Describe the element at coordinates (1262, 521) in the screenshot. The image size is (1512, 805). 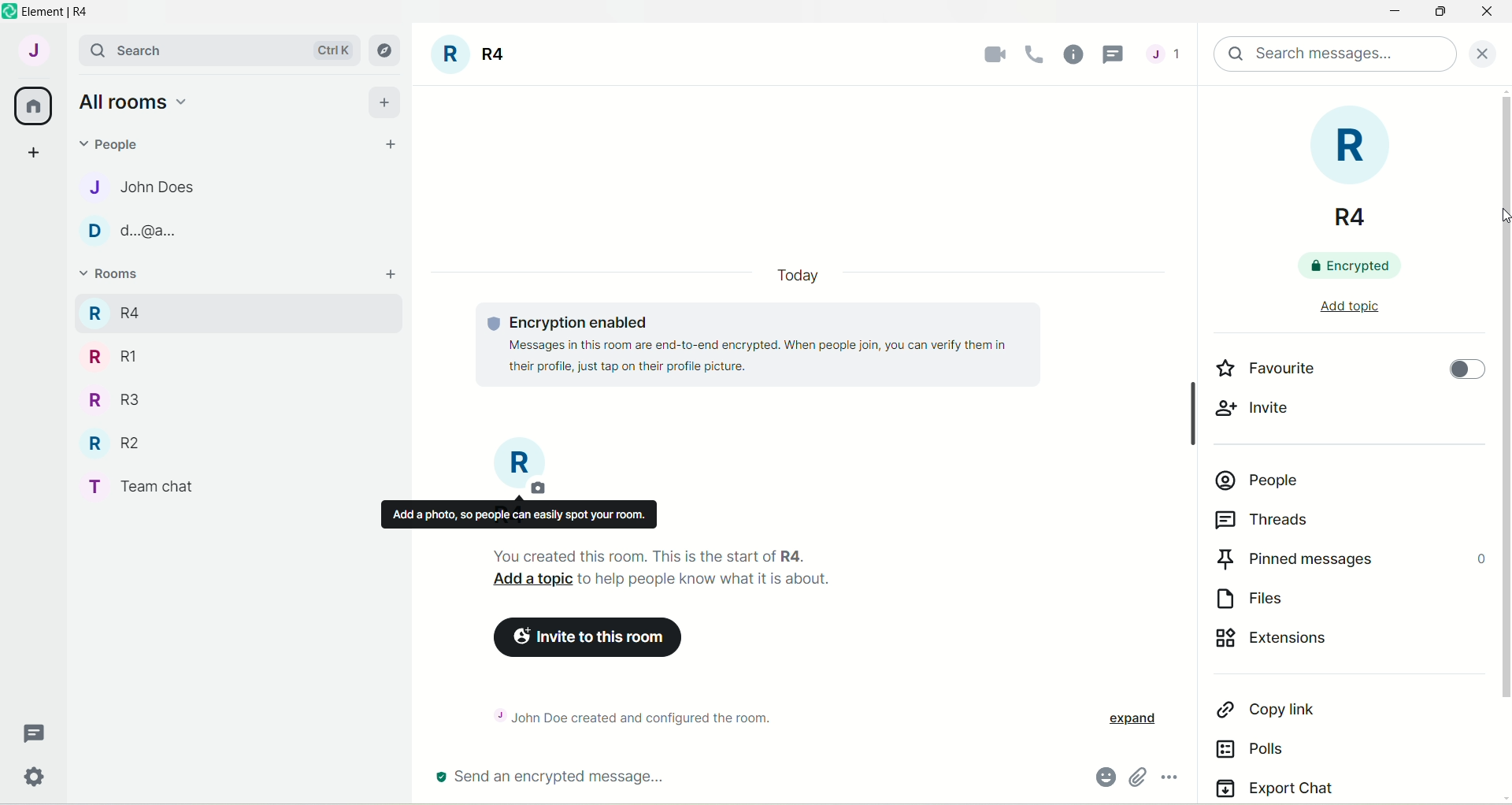
I see `threads` at that location.